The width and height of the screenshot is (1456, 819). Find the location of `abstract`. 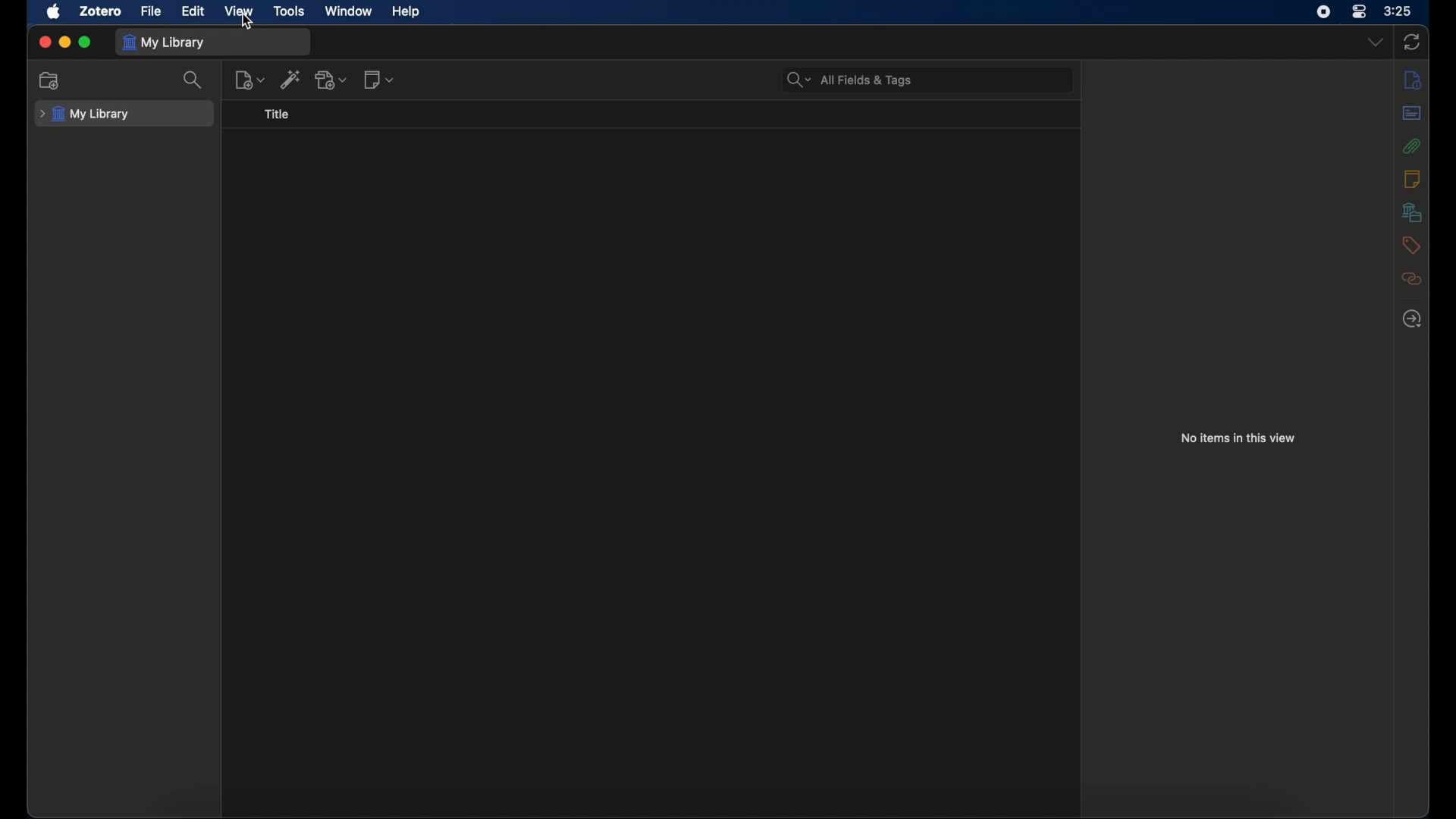

abstract is located at coordinates (1414, 113).